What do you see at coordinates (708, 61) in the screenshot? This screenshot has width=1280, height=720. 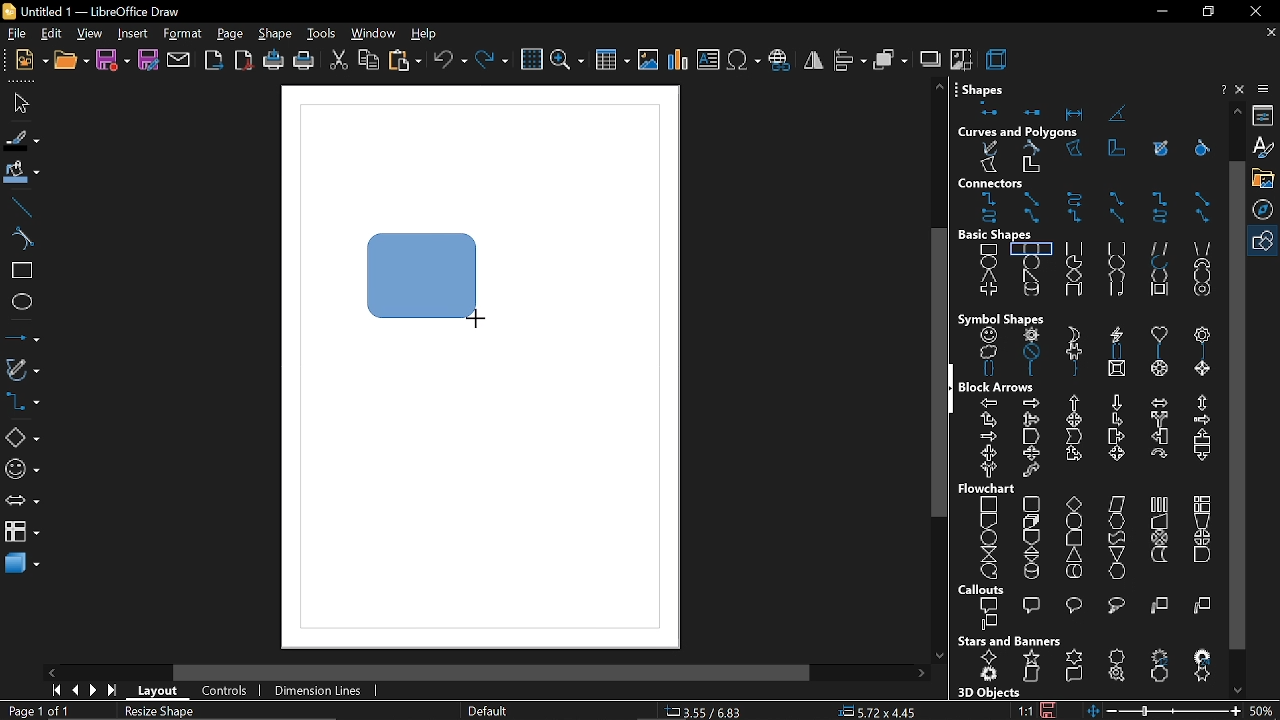 I see `insert text` at bounding box center [708, 61].